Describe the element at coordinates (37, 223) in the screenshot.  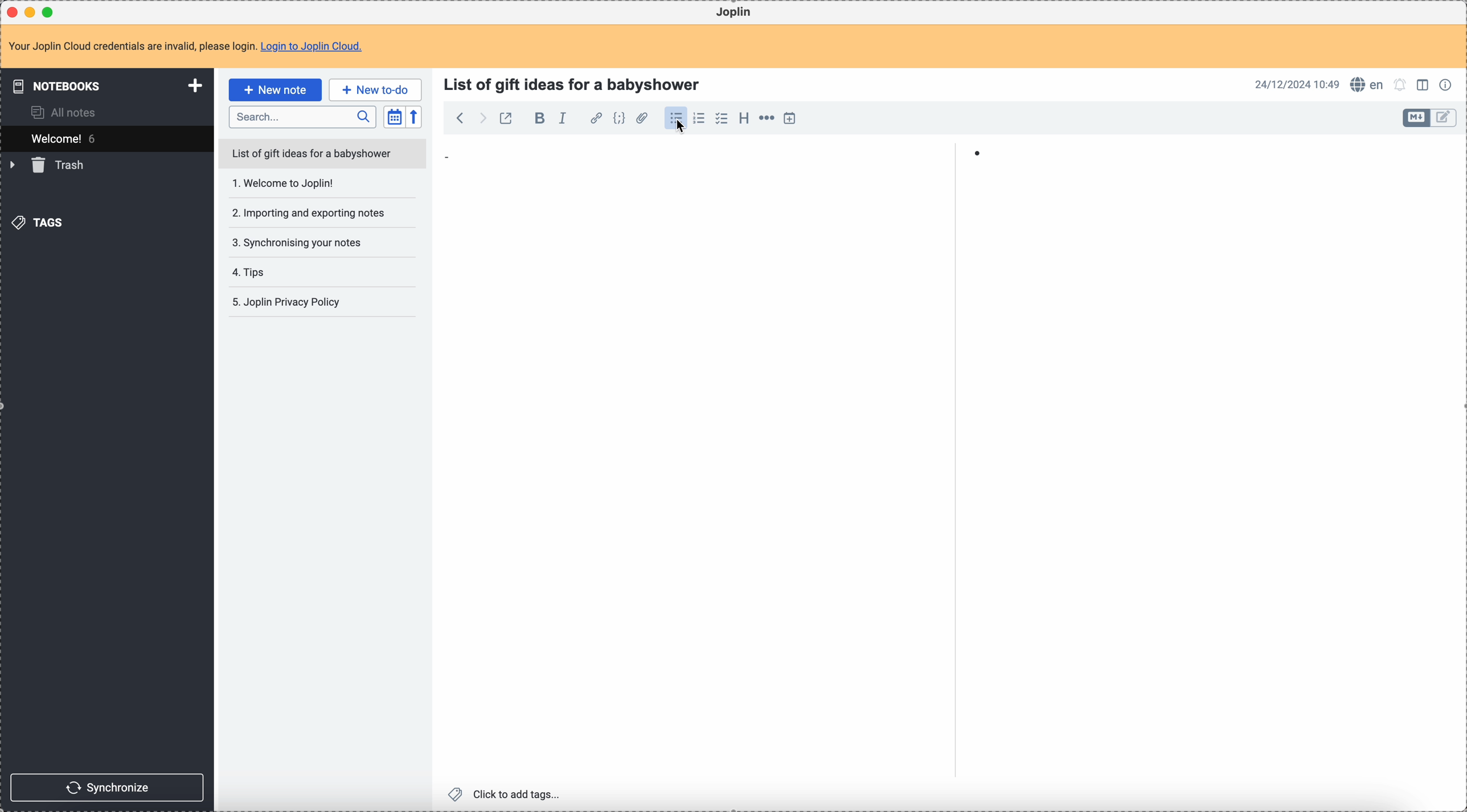
I see `tags` at that location.